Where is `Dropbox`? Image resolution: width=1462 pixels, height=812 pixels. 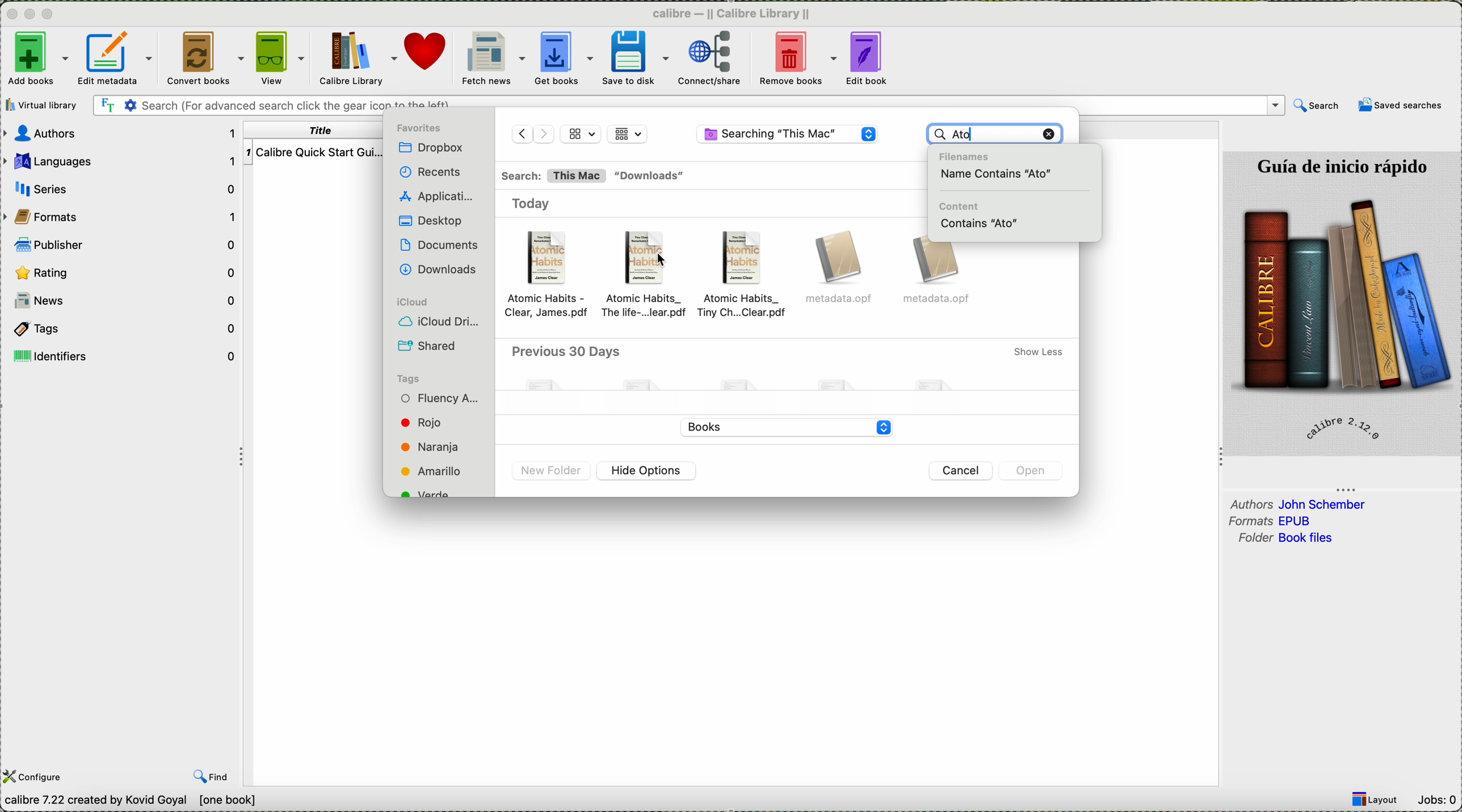 Dropbox is located at coordinates (434, 148).